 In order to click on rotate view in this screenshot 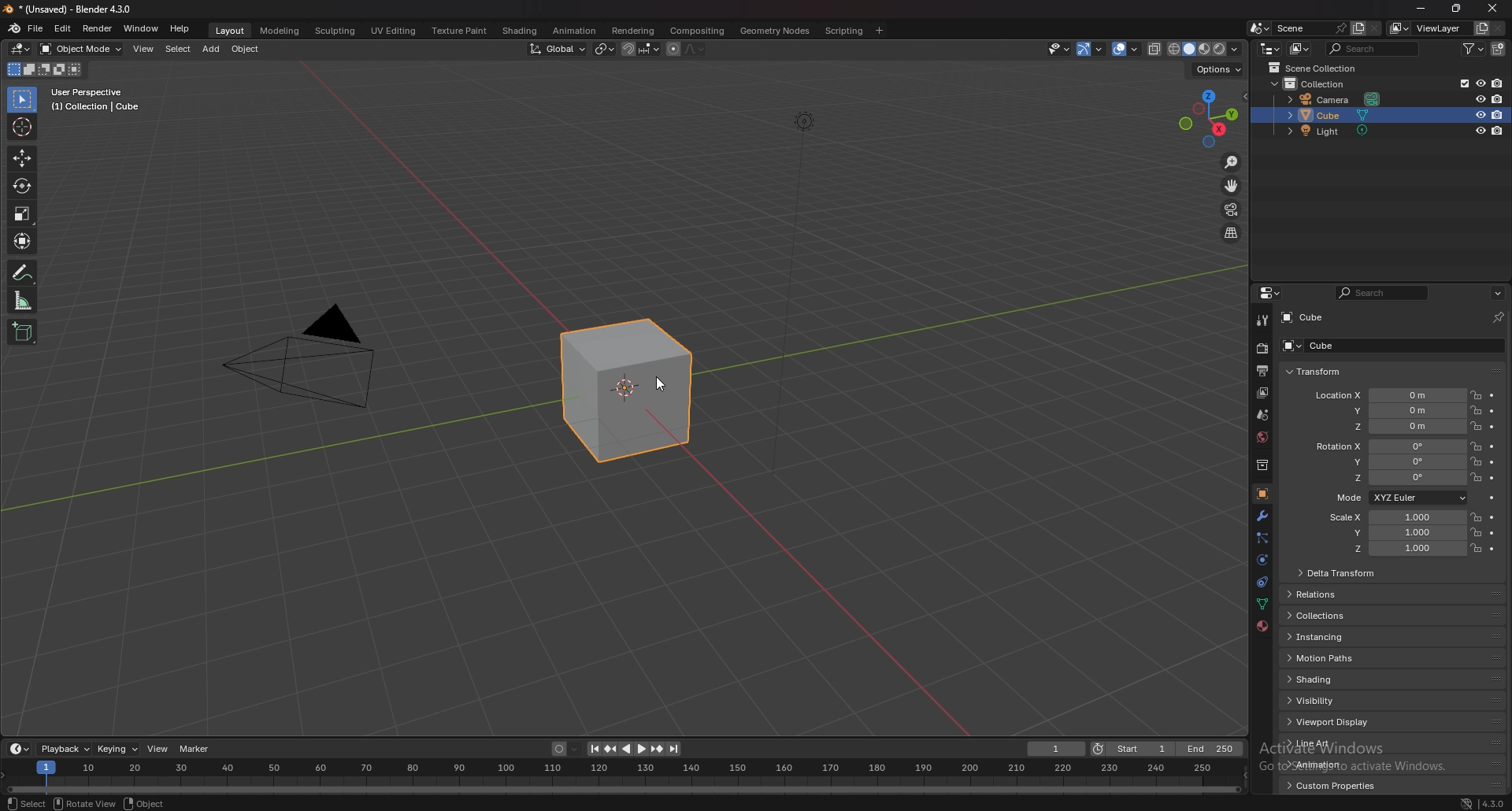, I will do `click(83, 804)`.